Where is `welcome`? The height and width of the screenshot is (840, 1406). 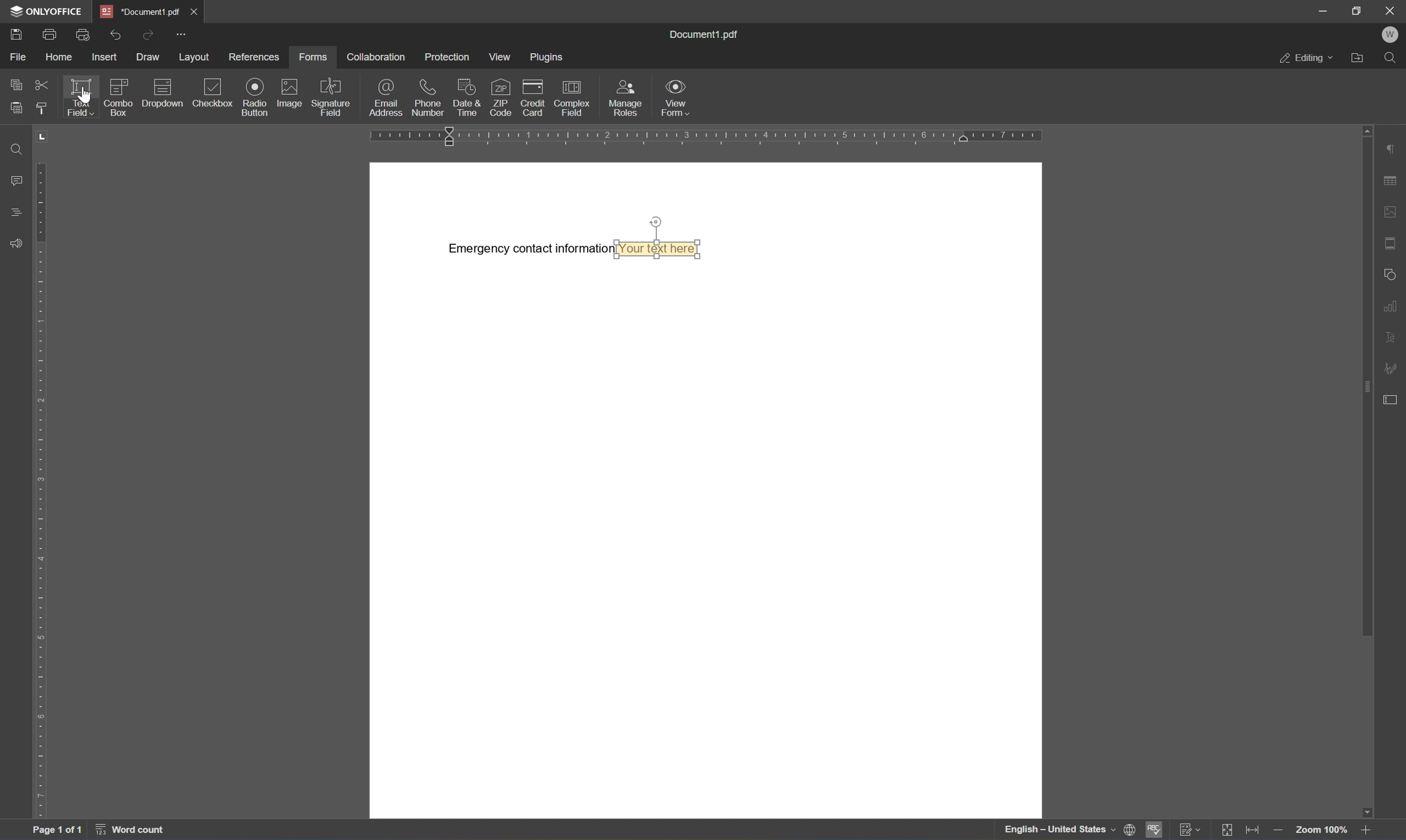
welcome is located at coordinates (1392, 33).